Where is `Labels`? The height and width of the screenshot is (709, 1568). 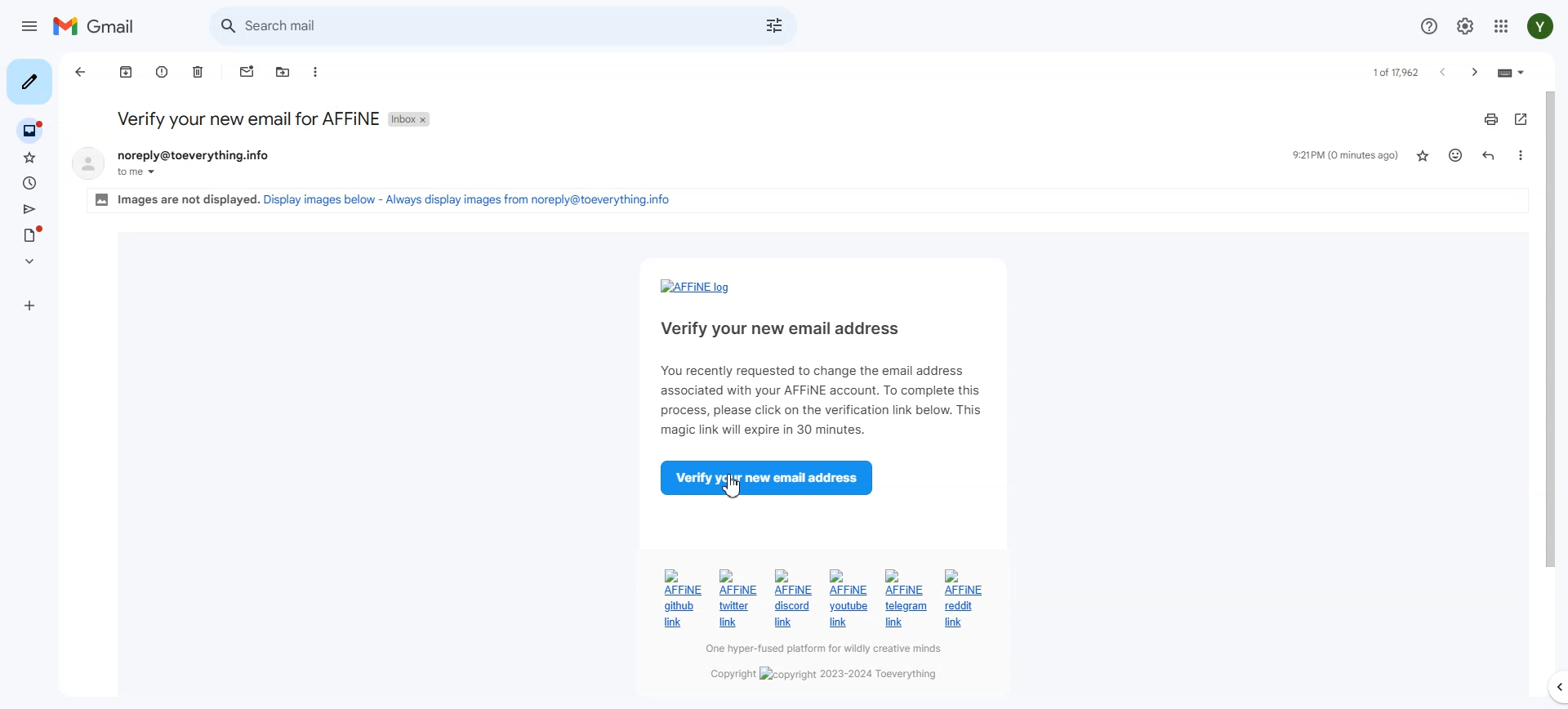 Labels is located at coordinates (30, 306).